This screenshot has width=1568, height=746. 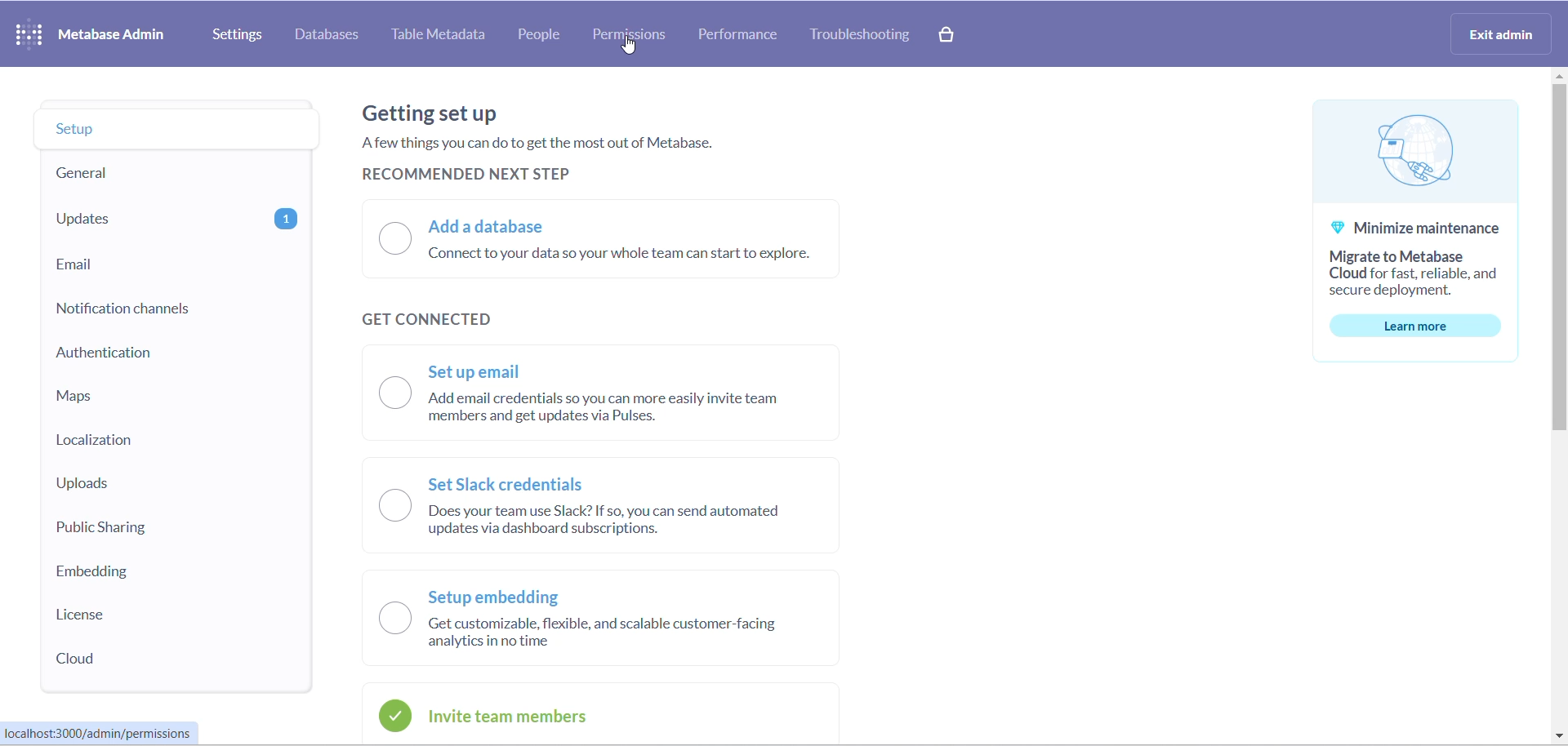 I want to click on permission, so click(x=630, y=33).